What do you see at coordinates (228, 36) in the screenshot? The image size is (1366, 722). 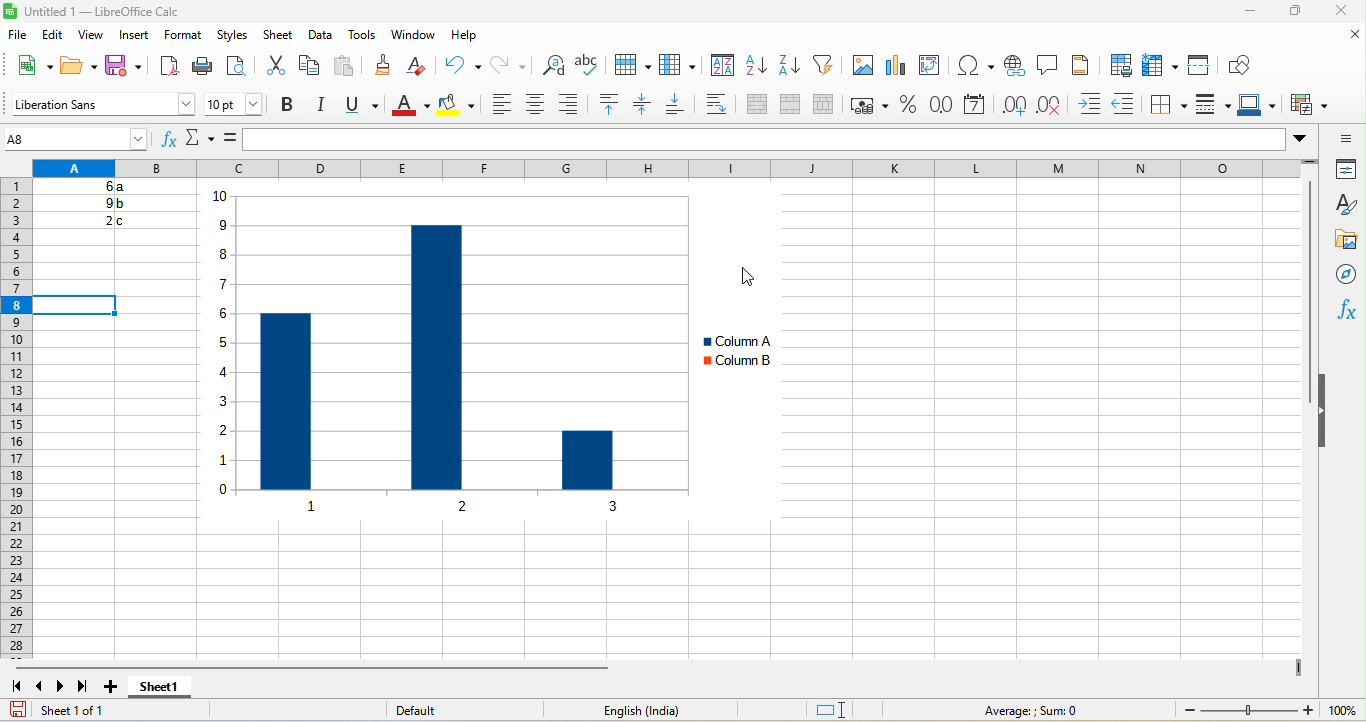 I see `styles` at bounding box center [228, 36].